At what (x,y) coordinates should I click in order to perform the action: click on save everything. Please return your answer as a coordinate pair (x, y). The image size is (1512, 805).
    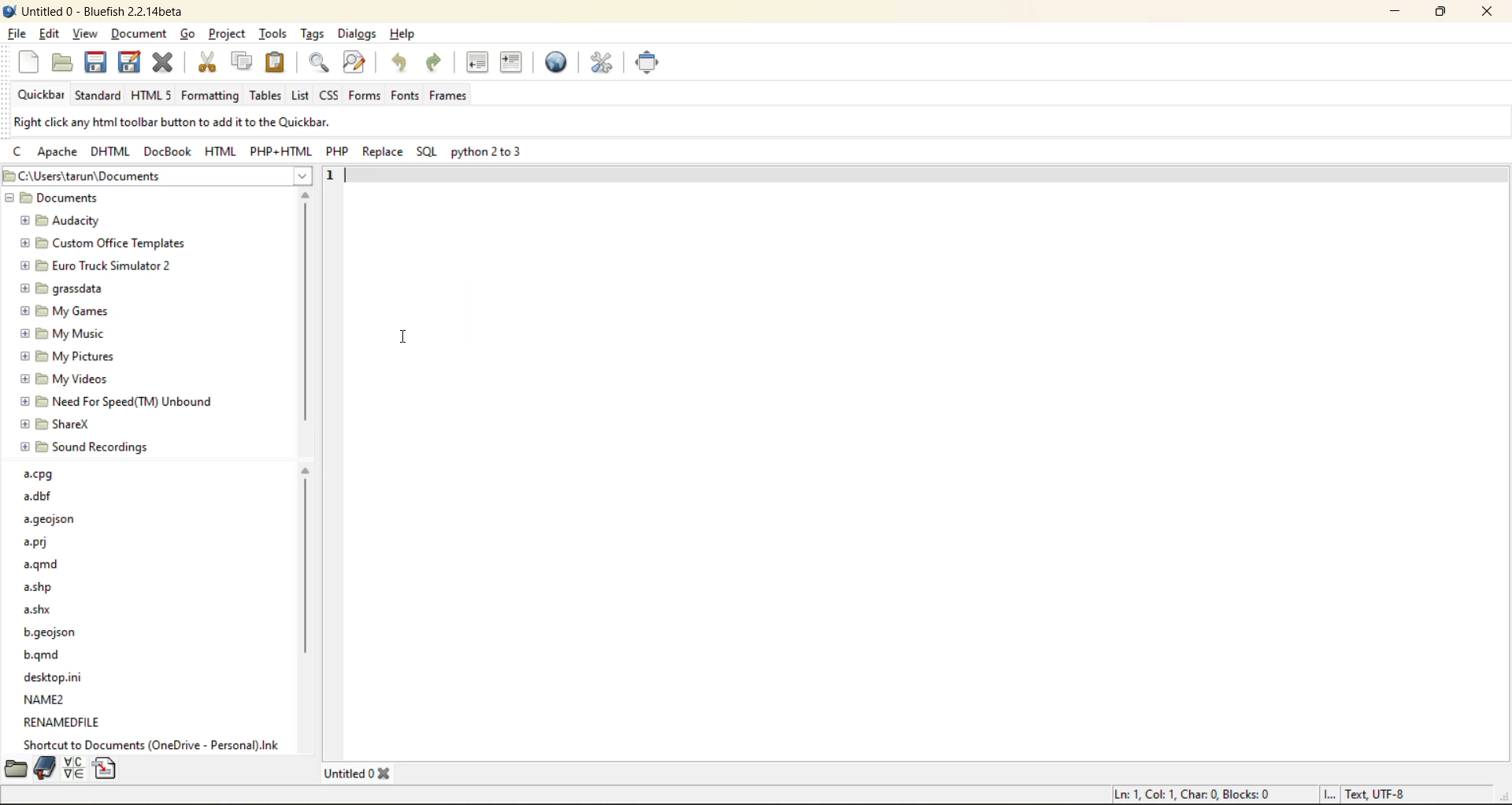
    Looking at the image, I should click on (131, 61).